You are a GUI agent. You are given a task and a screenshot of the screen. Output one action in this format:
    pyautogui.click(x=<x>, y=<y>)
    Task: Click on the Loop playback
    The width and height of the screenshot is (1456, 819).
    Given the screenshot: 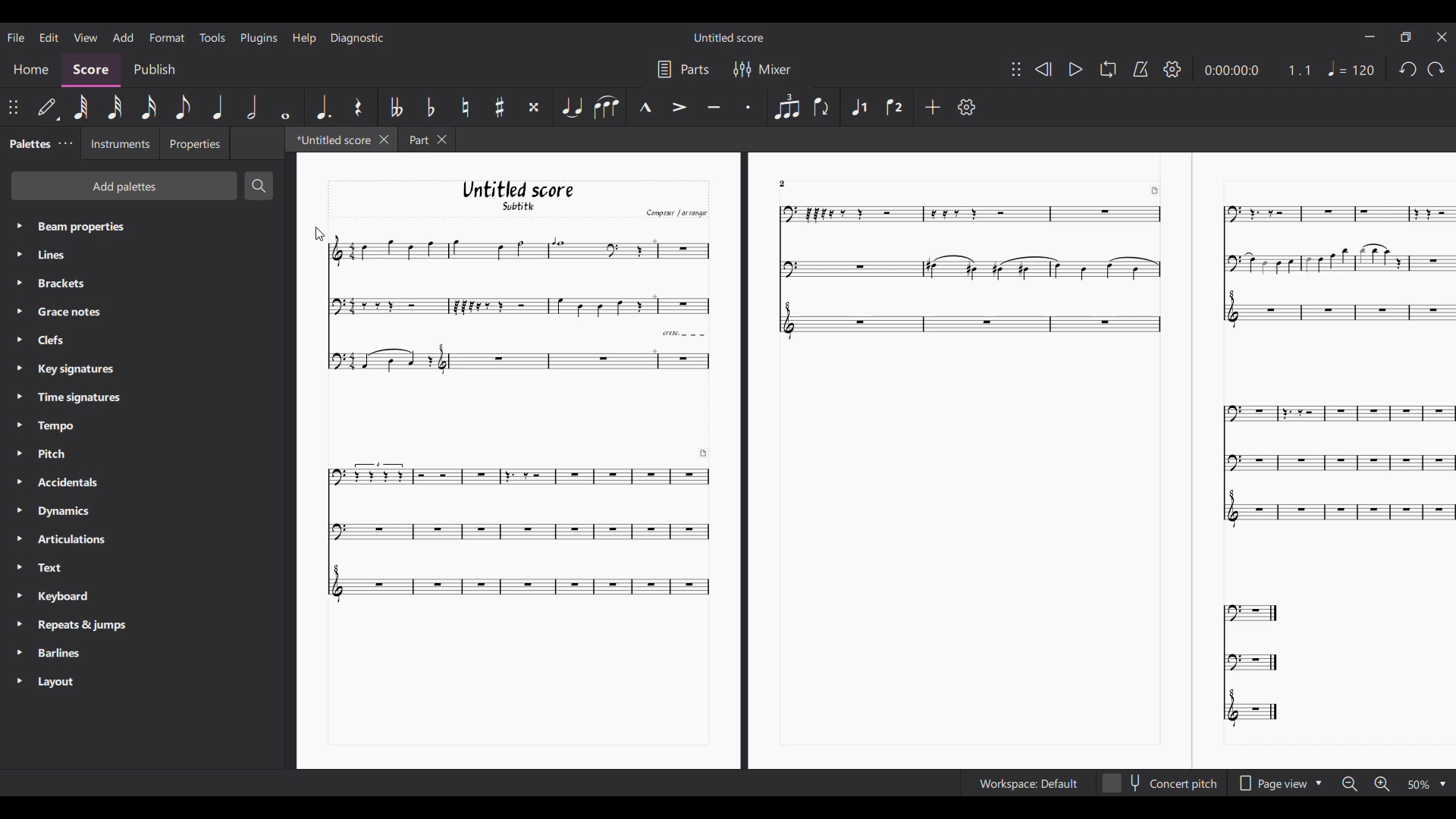 What is the action you would take?
    pyautogui.click(x=1107, y=70)
    